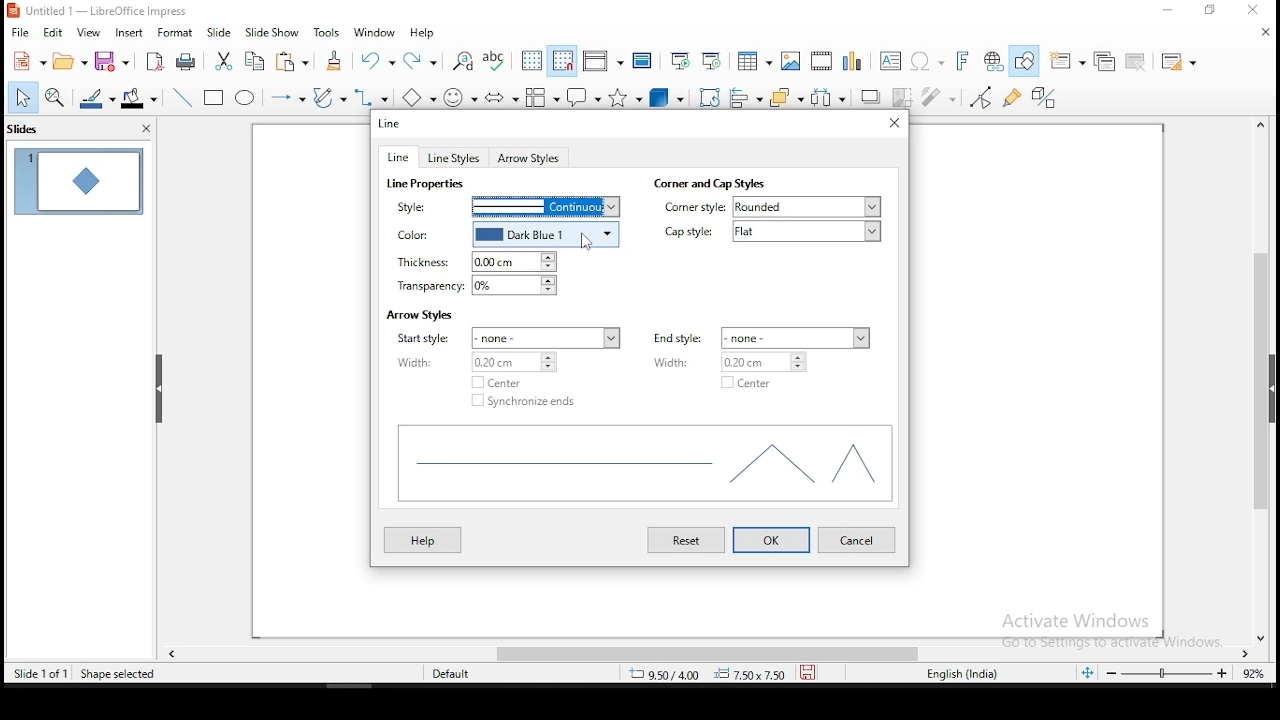  Describe the element at coordinates (941, 98) in the screenshot. I see `filter` at that location.